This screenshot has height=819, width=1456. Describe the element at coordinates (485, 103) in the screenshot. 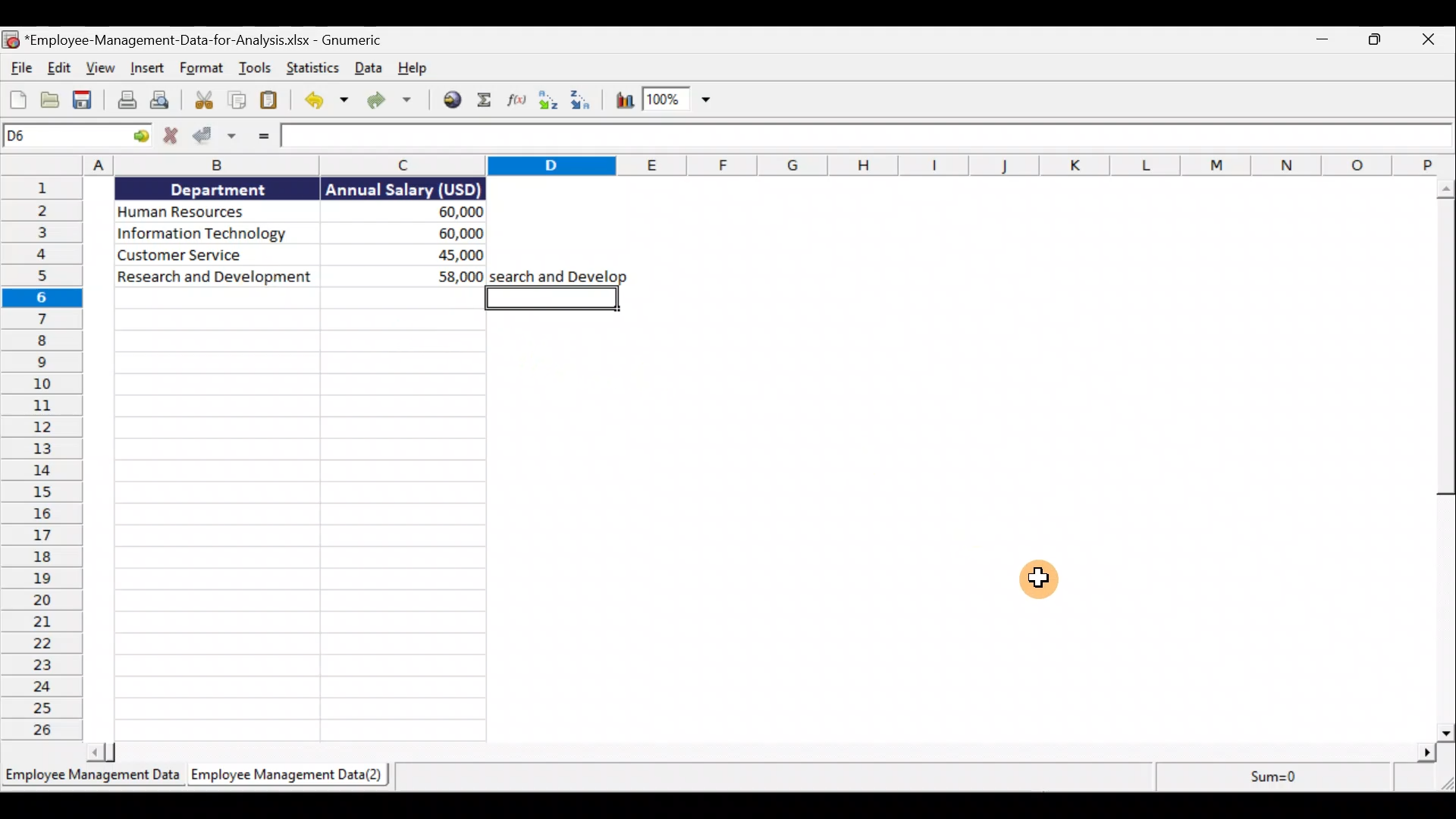

I see `Sum into the current cell` at that location.